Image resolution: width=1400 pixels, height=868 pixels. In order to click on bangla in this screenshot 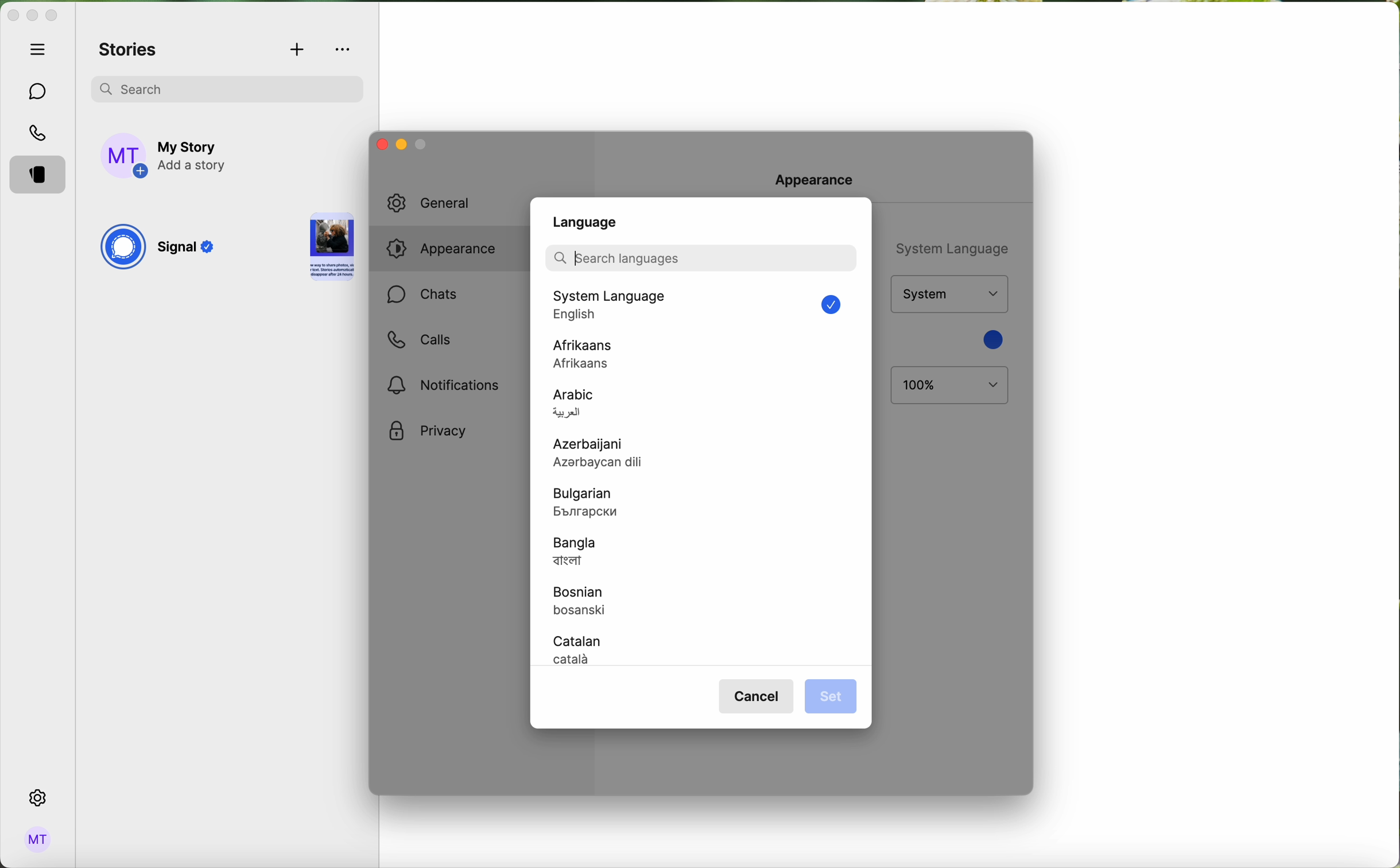, I will do `click(576, 553)`.